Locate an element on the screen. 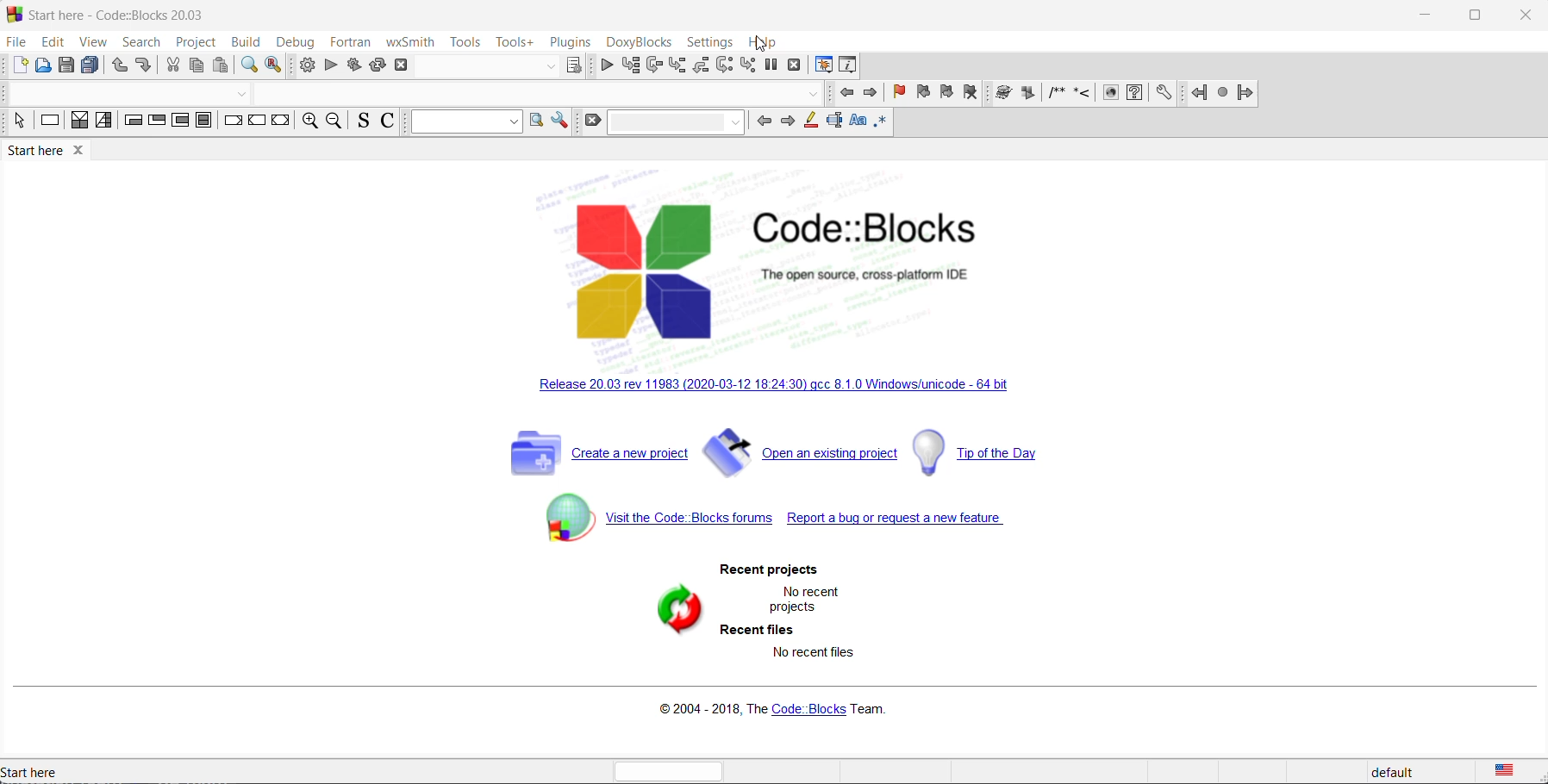  next instruction is located at coordinates (723, 65).